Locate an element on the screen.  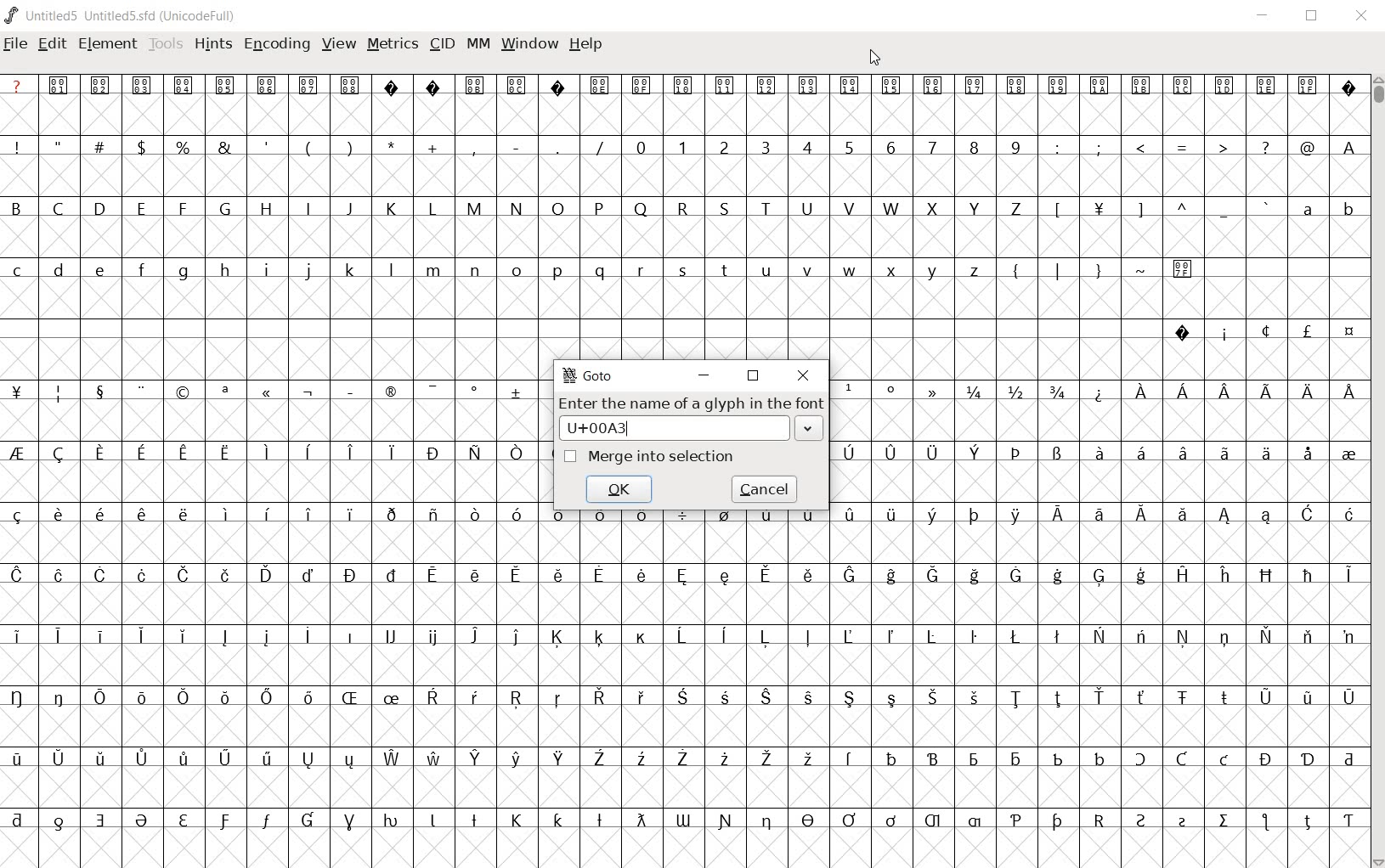
logo is located at coordinates (12, 14).